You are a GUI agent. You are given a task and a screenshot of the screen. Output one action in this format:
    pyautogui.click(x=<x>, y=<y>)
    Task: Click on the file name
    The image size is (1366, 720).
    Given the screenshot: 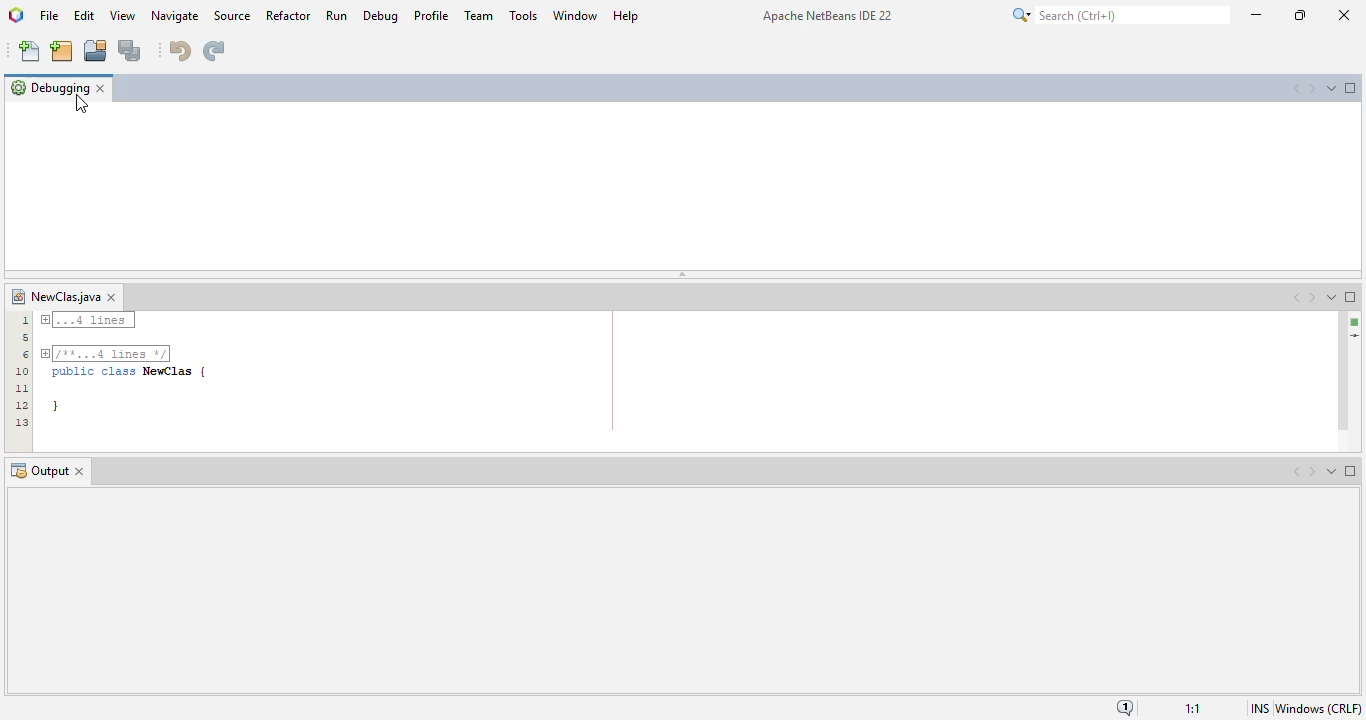 What is the action you would take?
    pyautogui.click(x=55, y=297)
    